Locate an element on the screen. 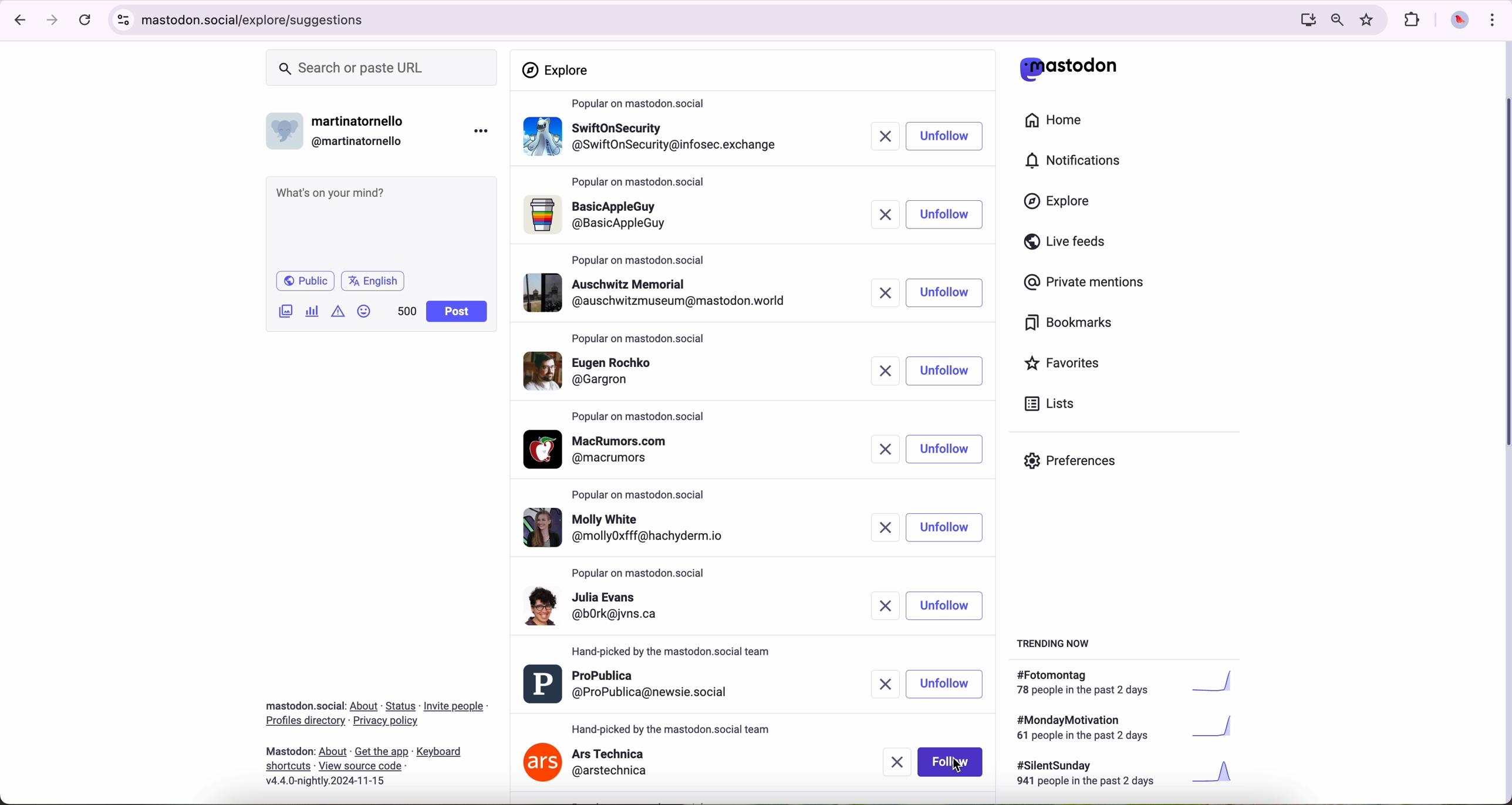 The height and width of the screenshot is (805, 1512). click on follow is located at coordinates (953, 763).